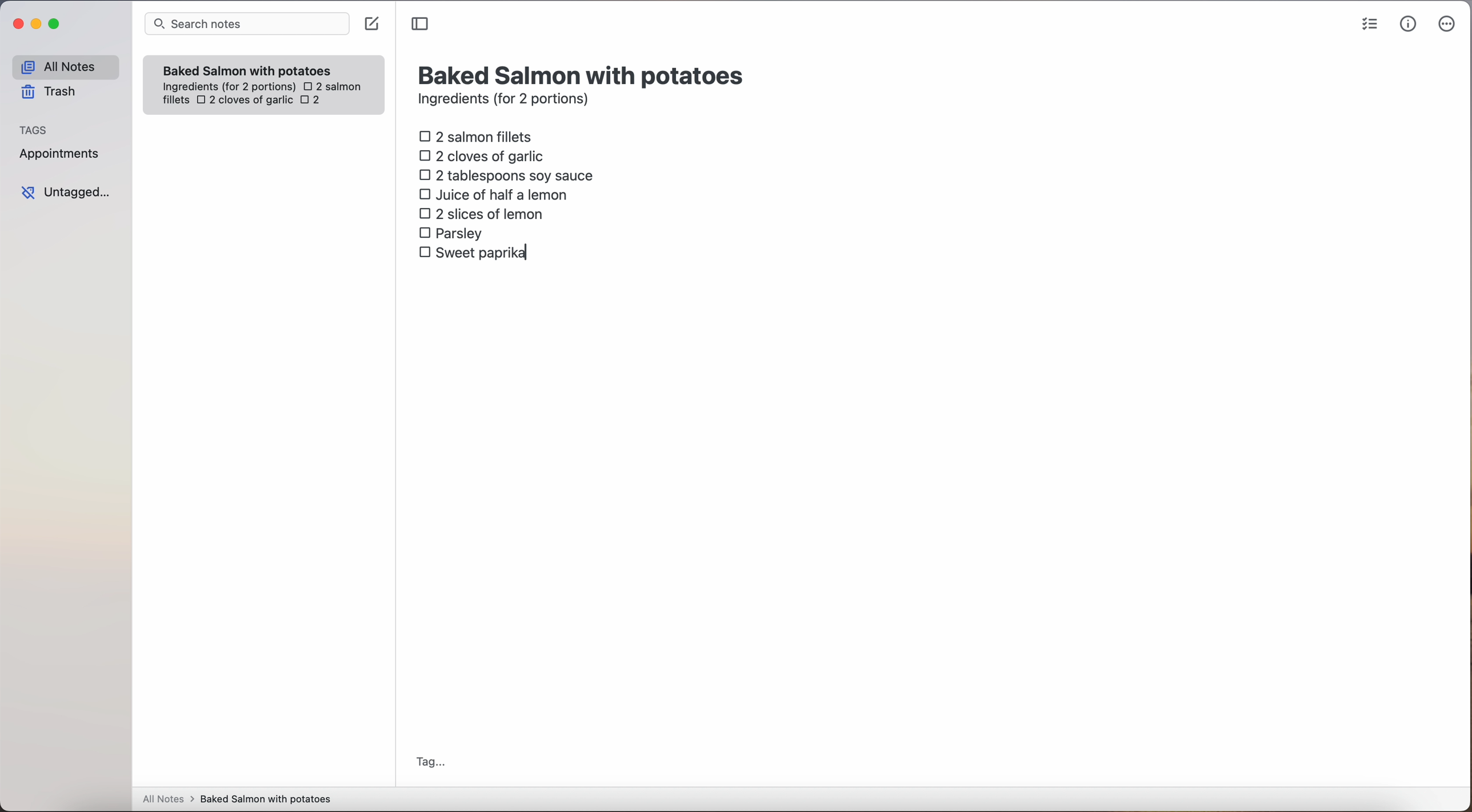  What do you see at coordinates (314, 101) in the screenshot?
I see `2 ` at bounding box center [314, 101].